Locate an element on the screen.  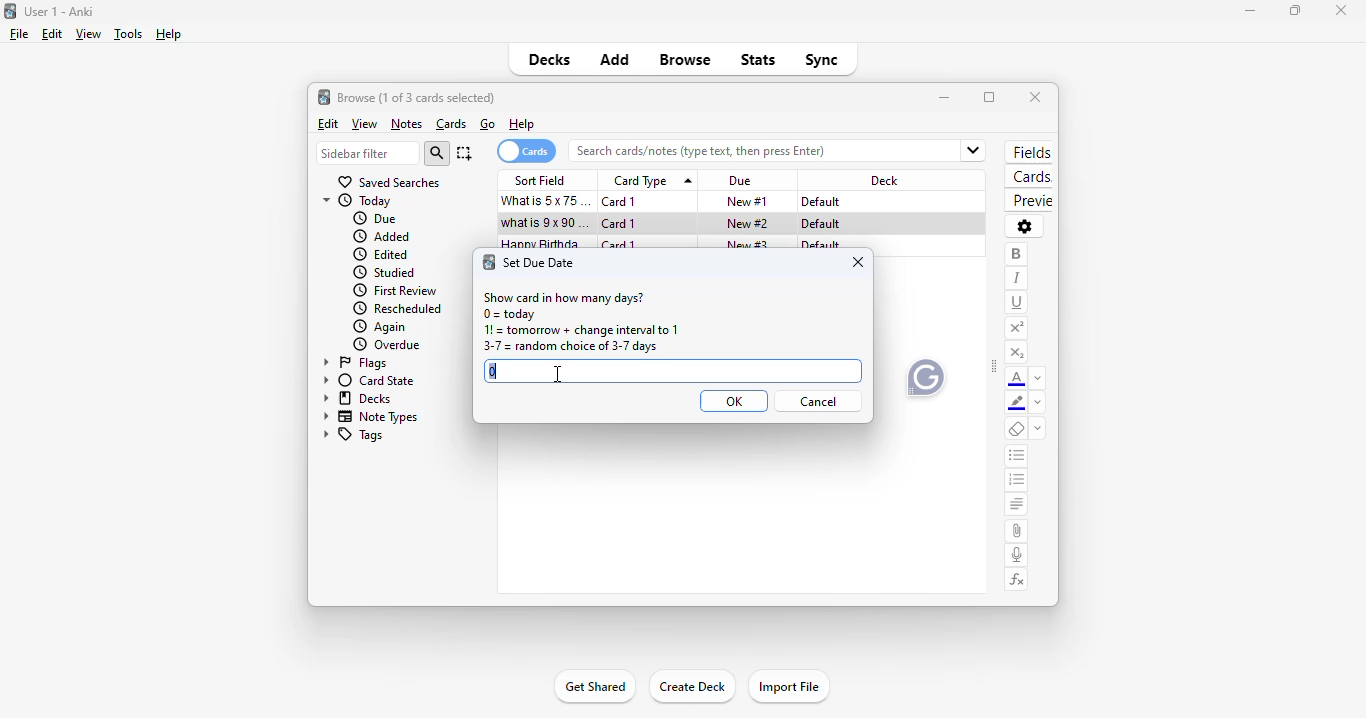
deck is located at coordinates (884, 181).